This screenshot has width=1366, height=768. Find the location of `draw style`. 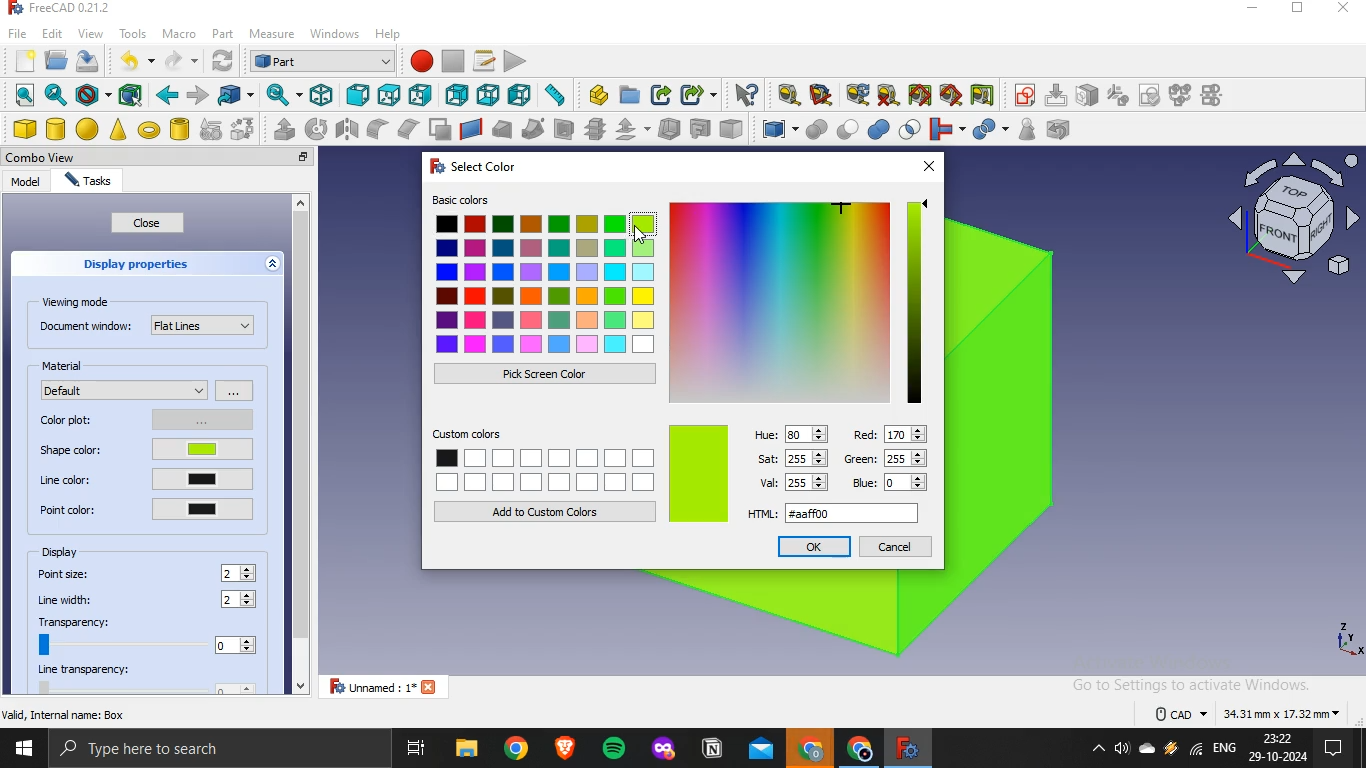

draw style is located at coordinates (90, 95).